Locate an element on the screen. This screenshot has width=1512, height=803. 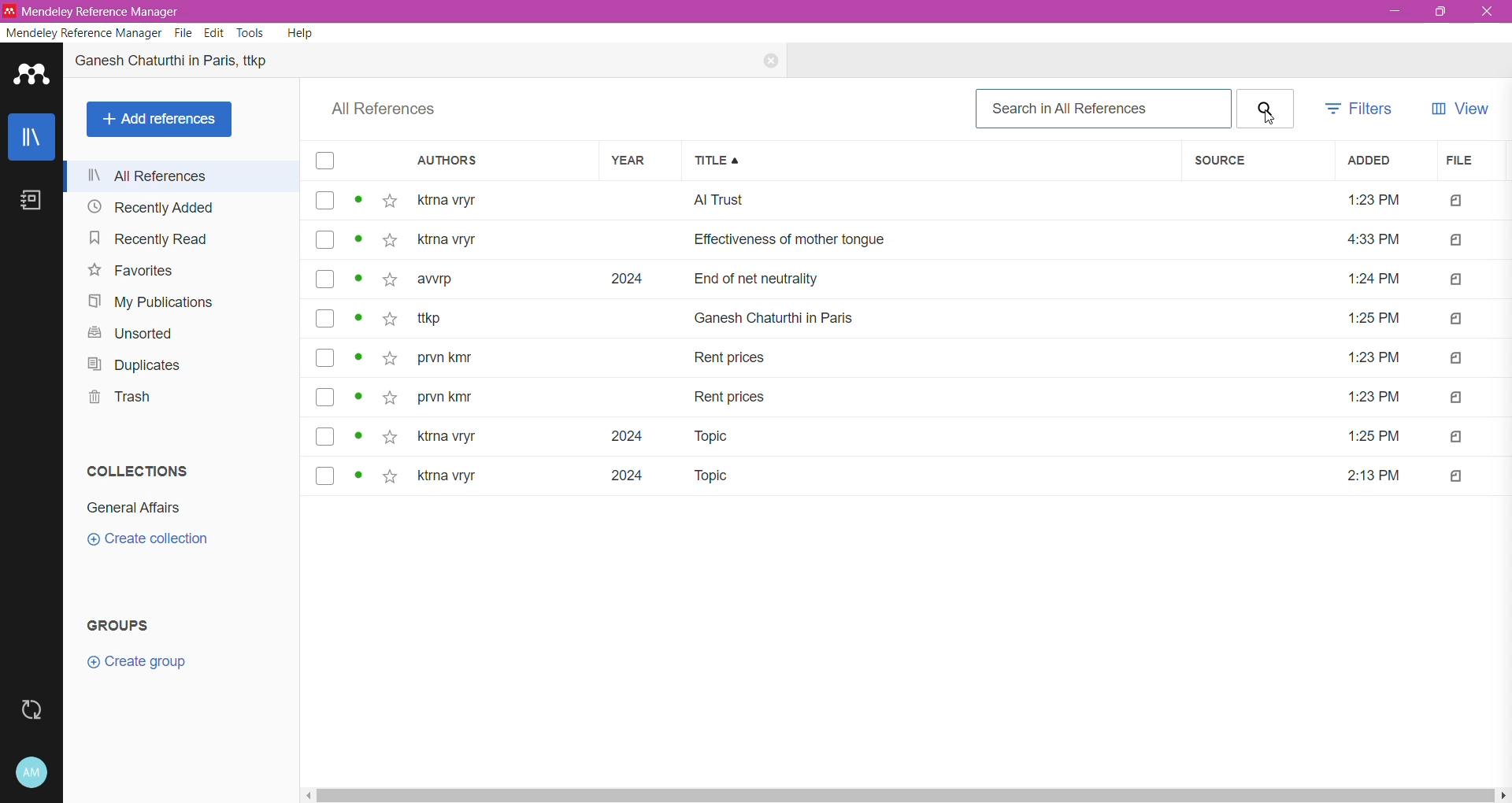
add to favorites is located at coordinates (391, 359).